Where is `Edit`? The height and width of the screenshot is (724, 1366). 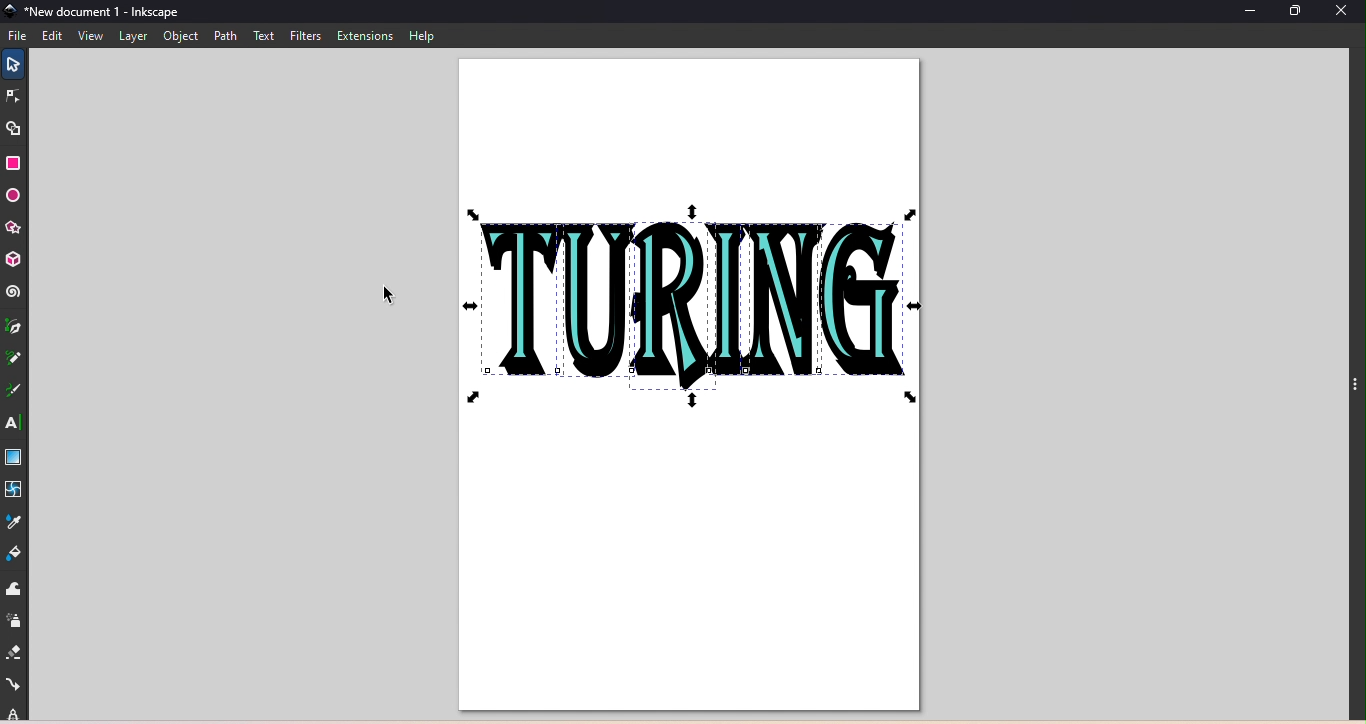 Edit is located at coordinates (52, 36).